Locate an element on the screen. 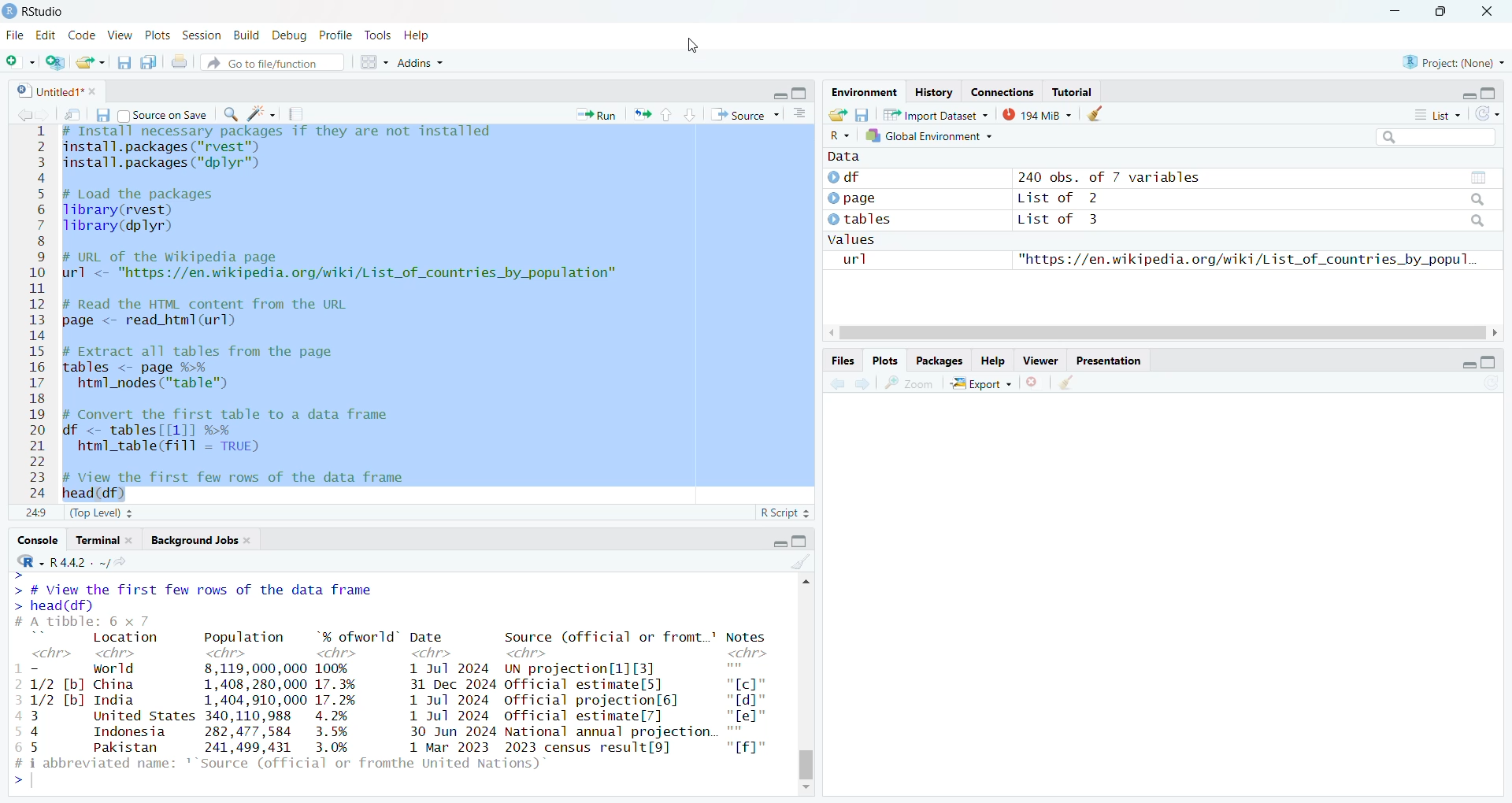  Notes is located at coordinates (745, 637).